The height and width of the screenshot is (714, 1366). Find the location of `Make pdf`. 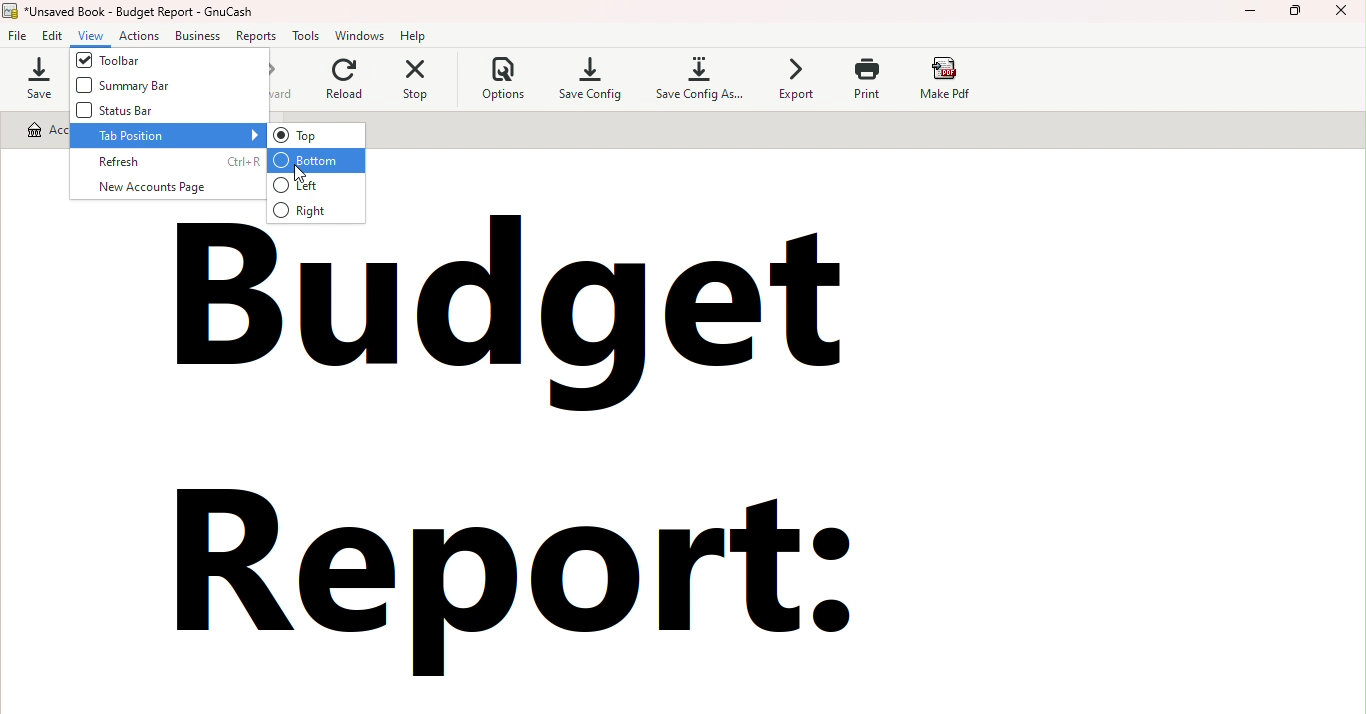

Make pdf is located at coordinates (956, 78).